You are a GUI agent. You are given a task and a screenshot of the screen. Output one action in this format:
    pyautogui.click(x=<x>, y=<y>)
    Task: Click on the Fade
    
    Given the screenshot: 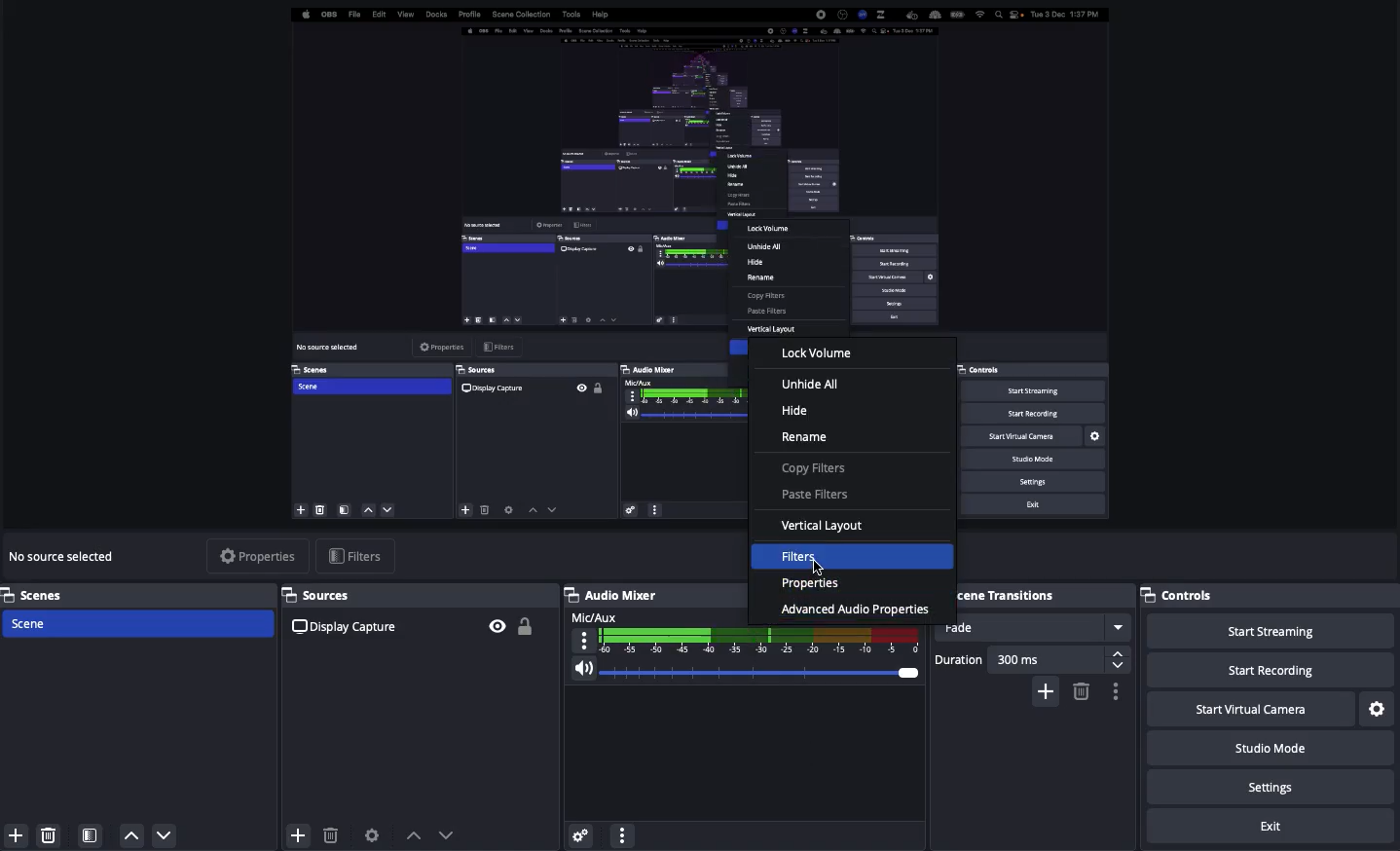 What is the action you would take?
    pyautogui.click(x=1035, y=627)
    